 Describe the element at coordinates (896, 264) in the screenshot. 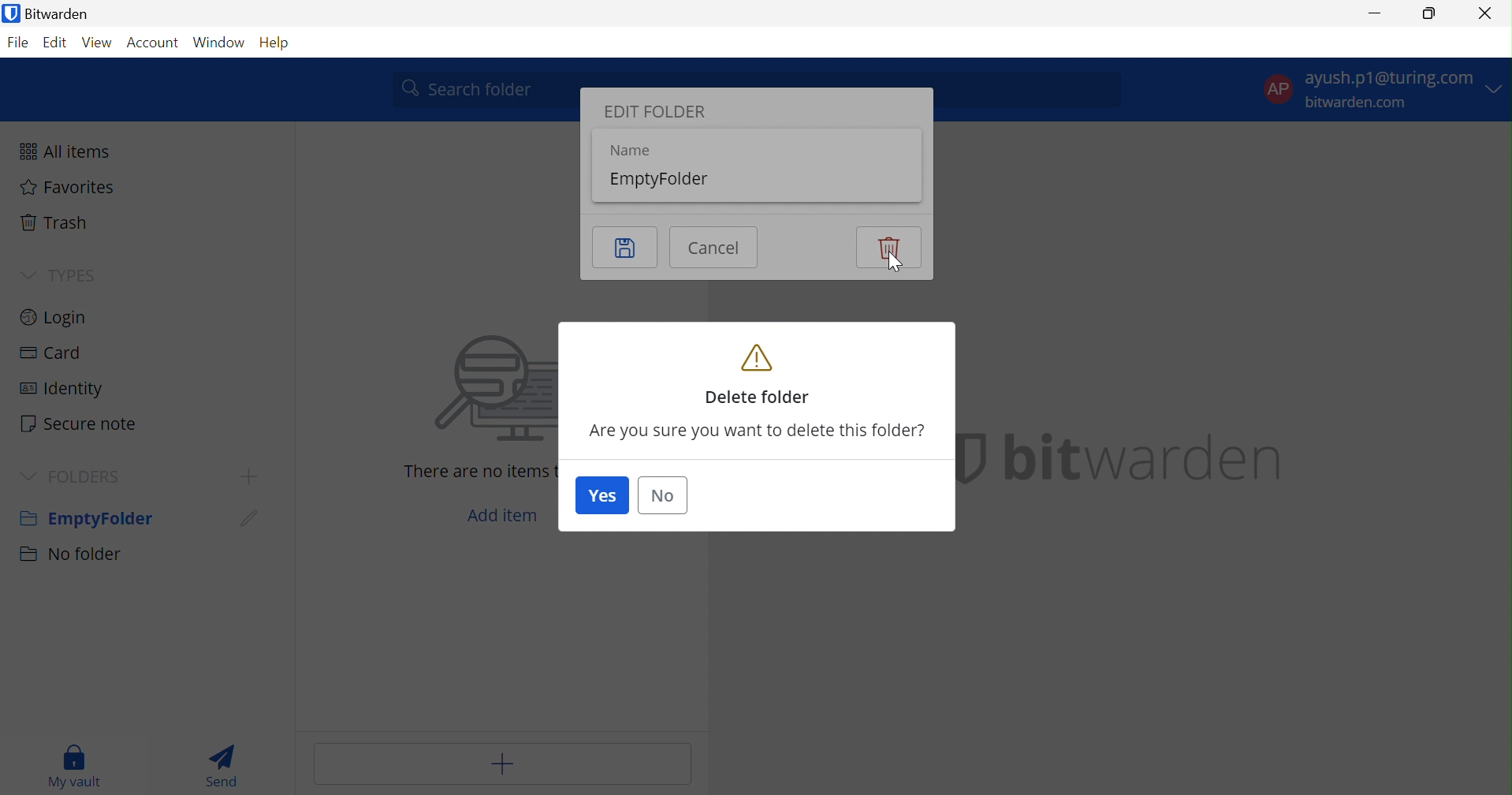

I see `Cursor` at that location.